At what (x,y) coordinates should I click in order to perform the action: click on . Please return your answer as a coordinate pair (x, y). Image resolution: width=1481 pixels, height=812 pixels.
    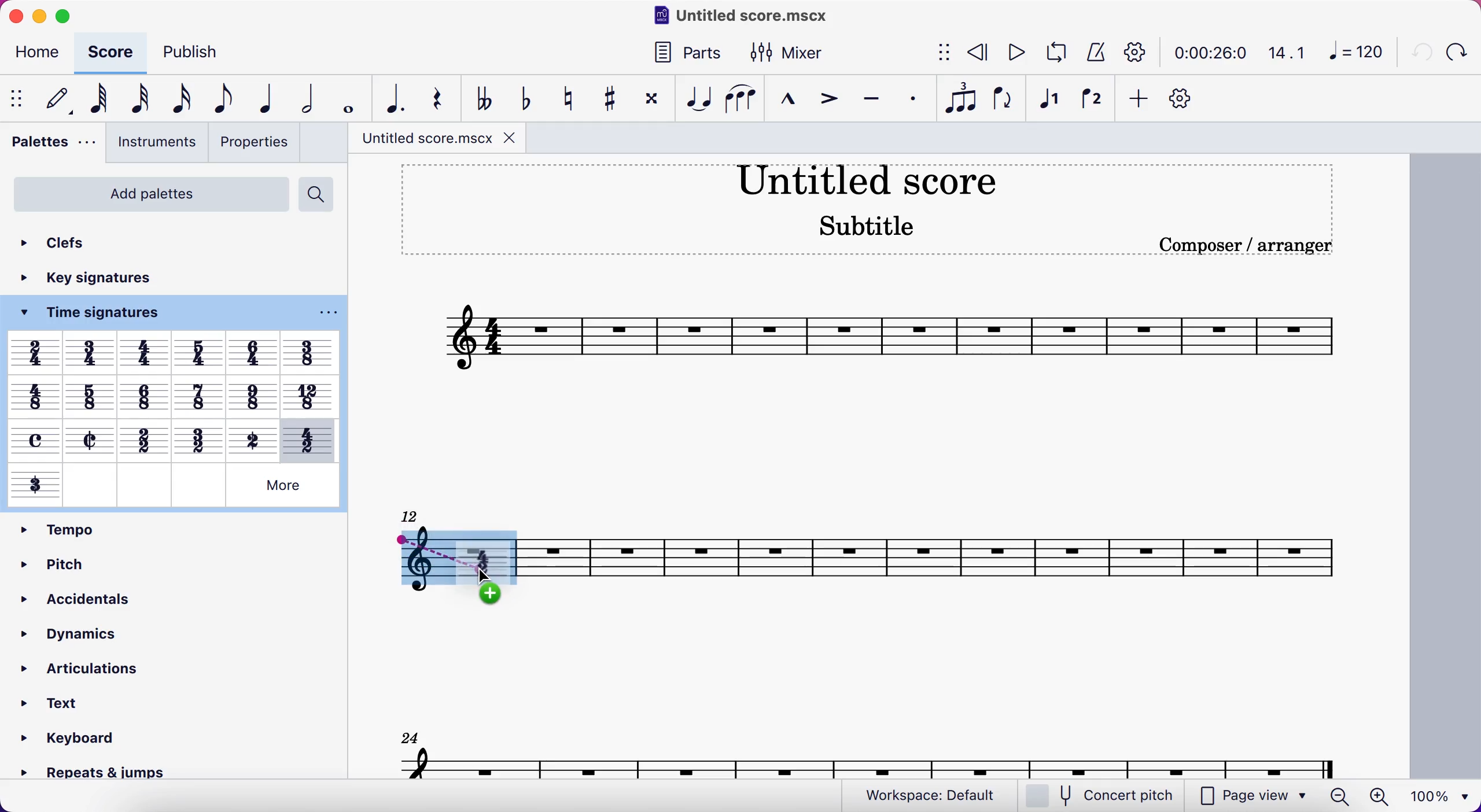
    Looking at the image, I should click on (310, 394).